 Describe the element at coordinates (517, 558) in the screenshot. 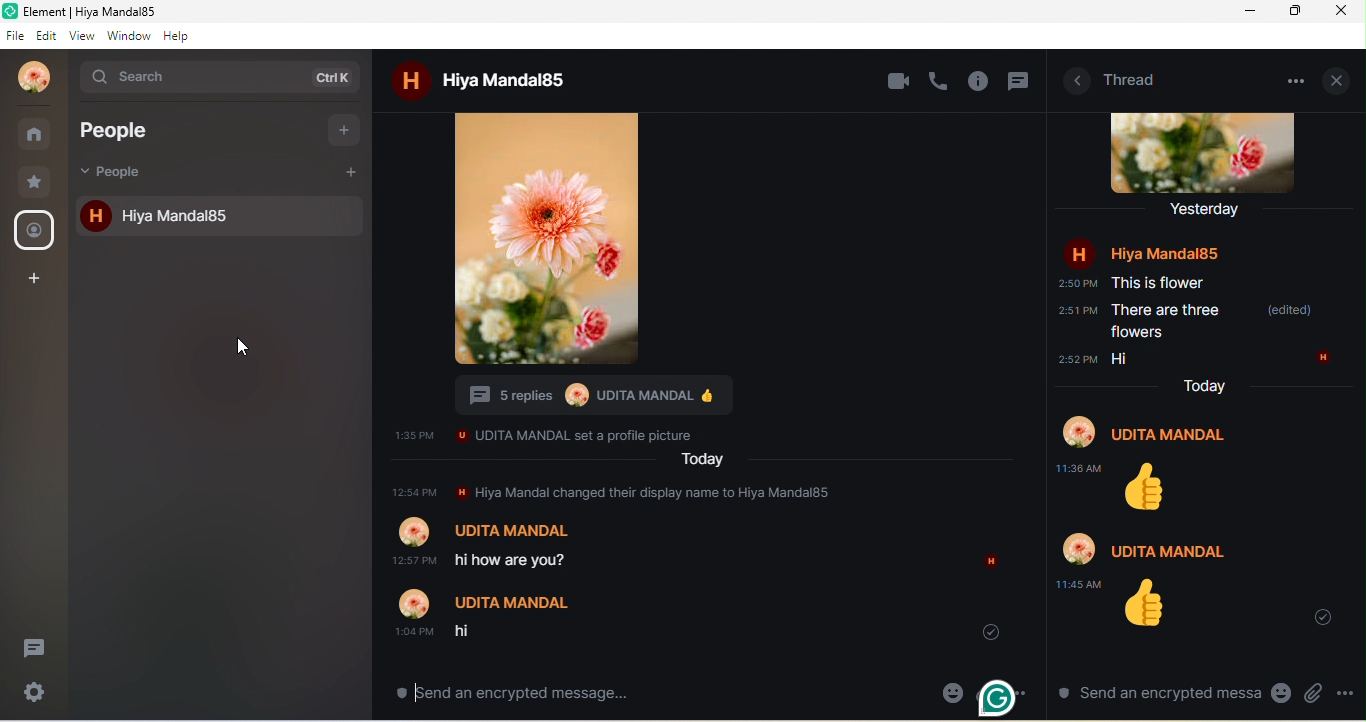

I see `hi how are you?` at that location.